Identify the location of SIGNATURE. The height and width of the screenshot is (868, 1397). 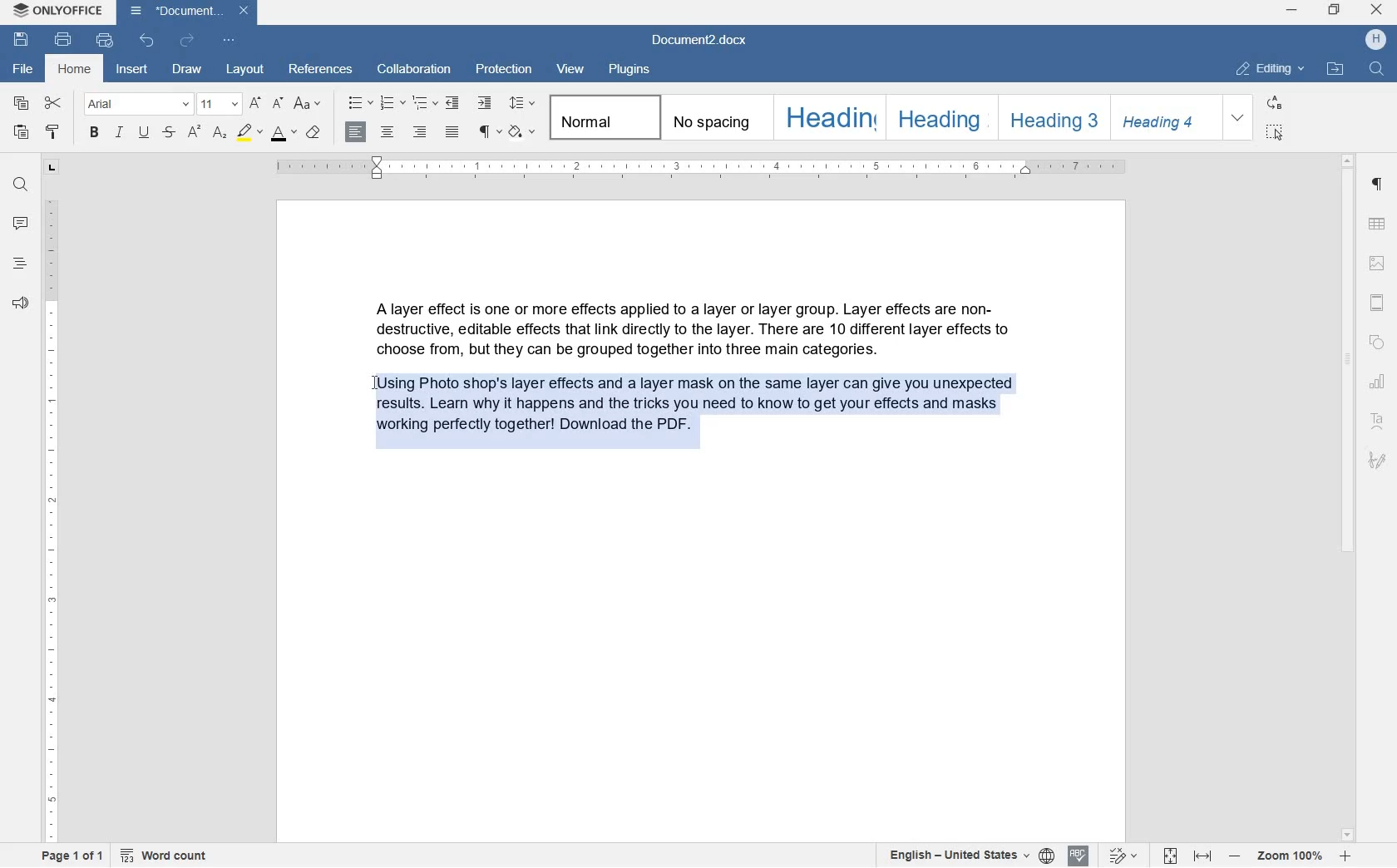
(1379, 457).